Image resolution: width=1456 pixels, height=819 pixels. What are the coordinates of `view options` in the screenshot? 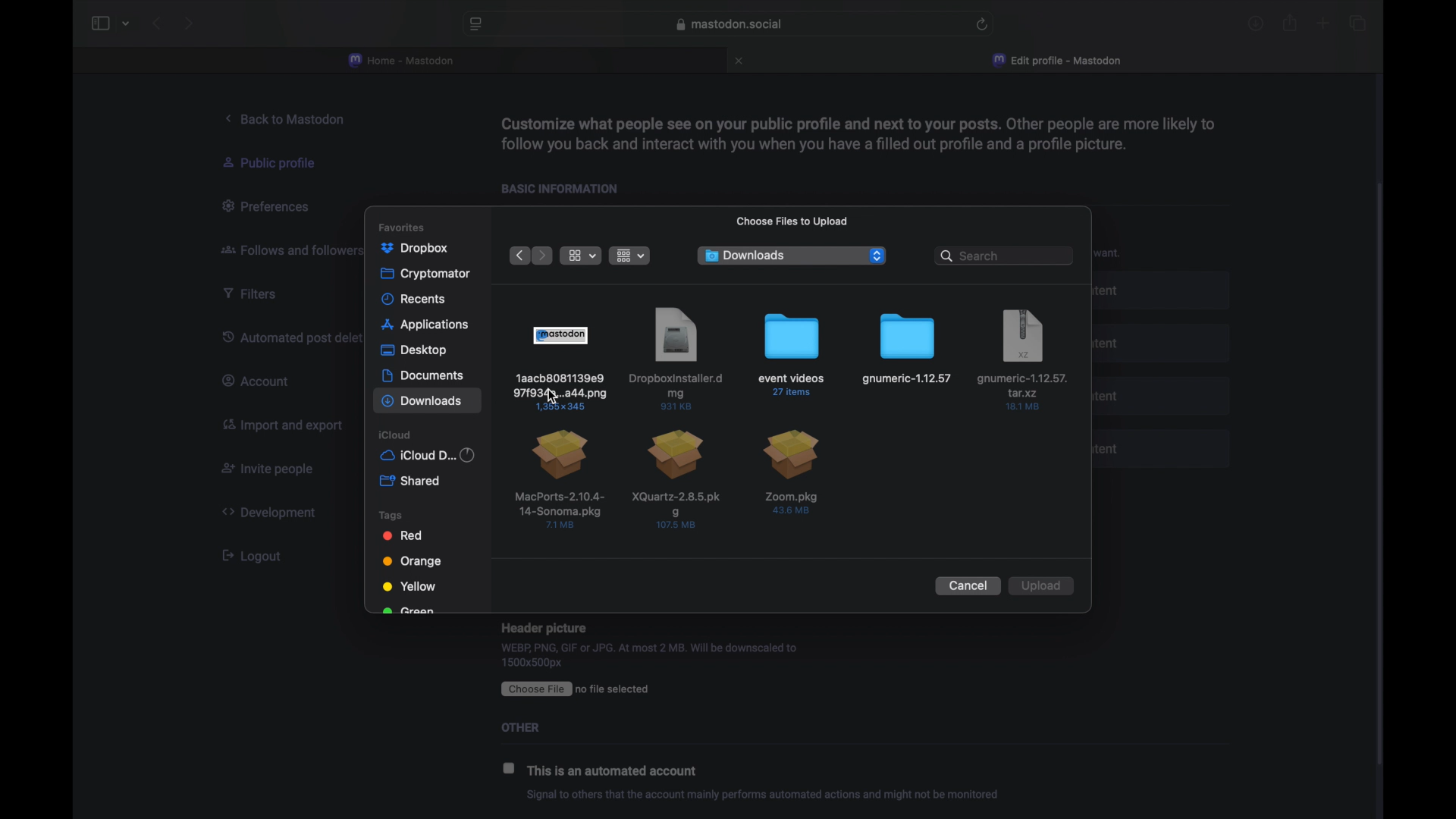 It's located at (581, 256).